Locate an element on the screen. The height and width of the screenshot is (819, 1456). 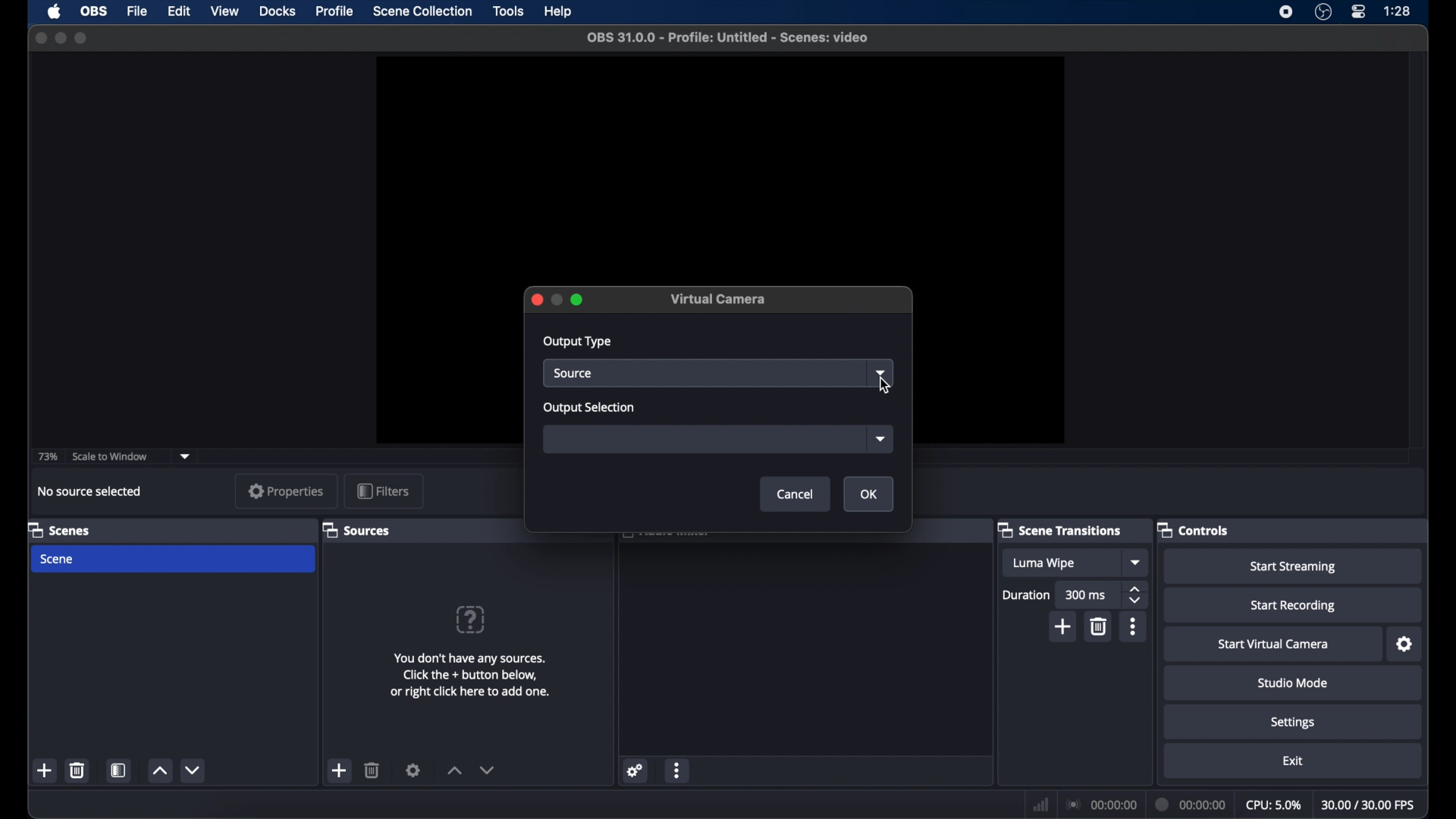
studio mode is located at coordinates (1293, 682).